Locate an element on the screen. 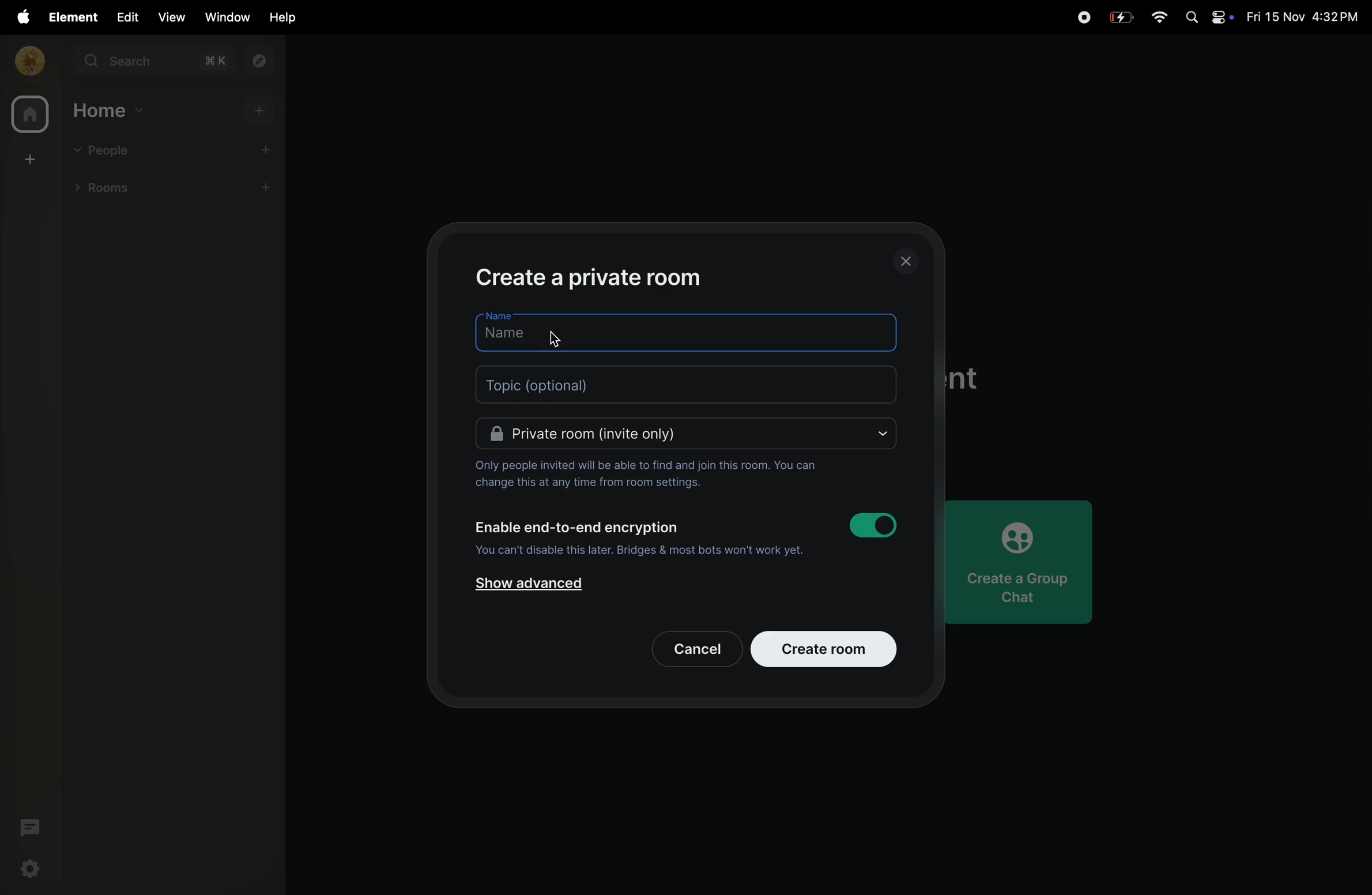 Image resolution: width=1372 pixels, height=895 pixels. home is located at coordinates (109, 111).